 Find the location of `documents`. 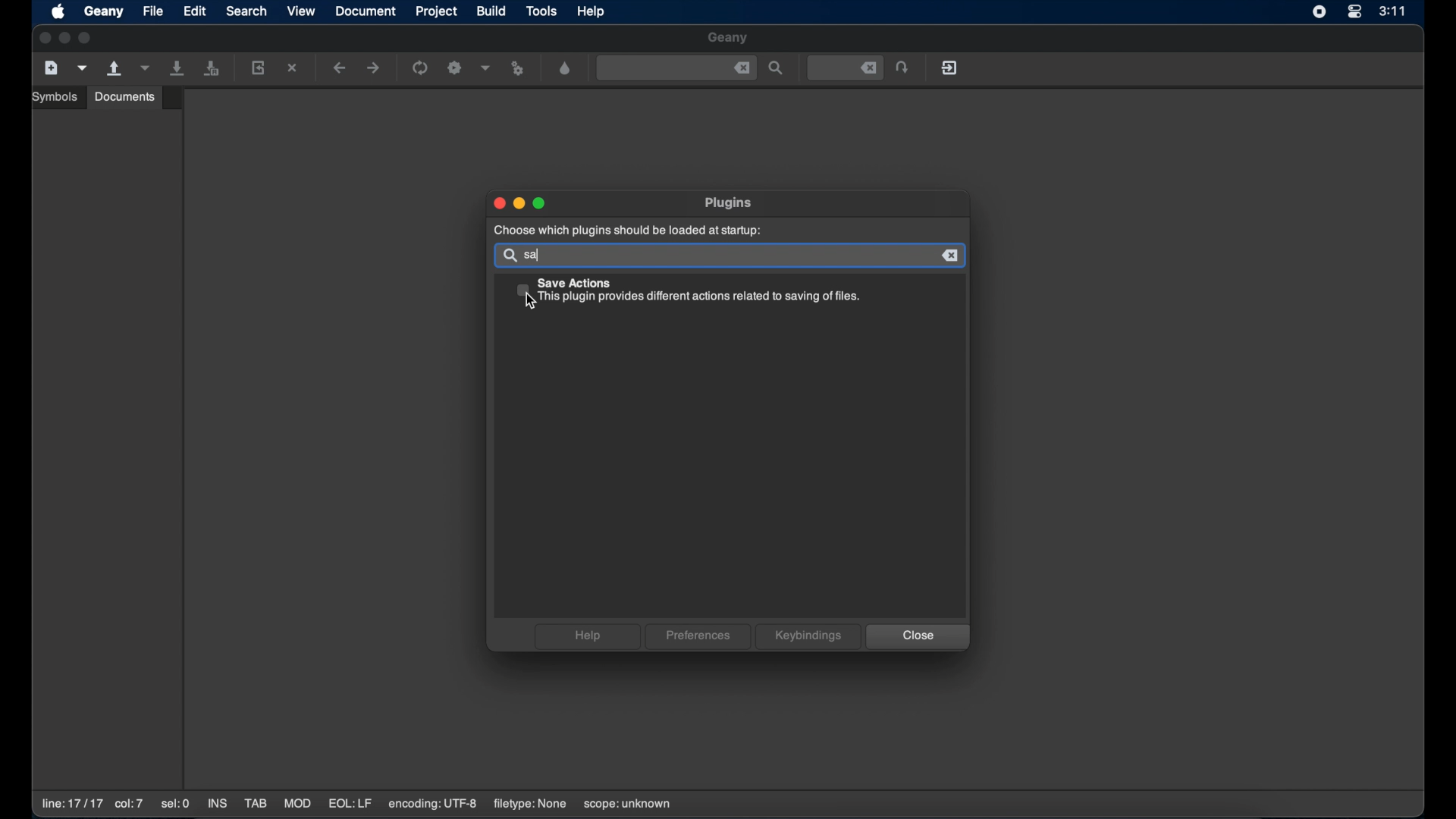

documents is located at coordinates (125, 96).